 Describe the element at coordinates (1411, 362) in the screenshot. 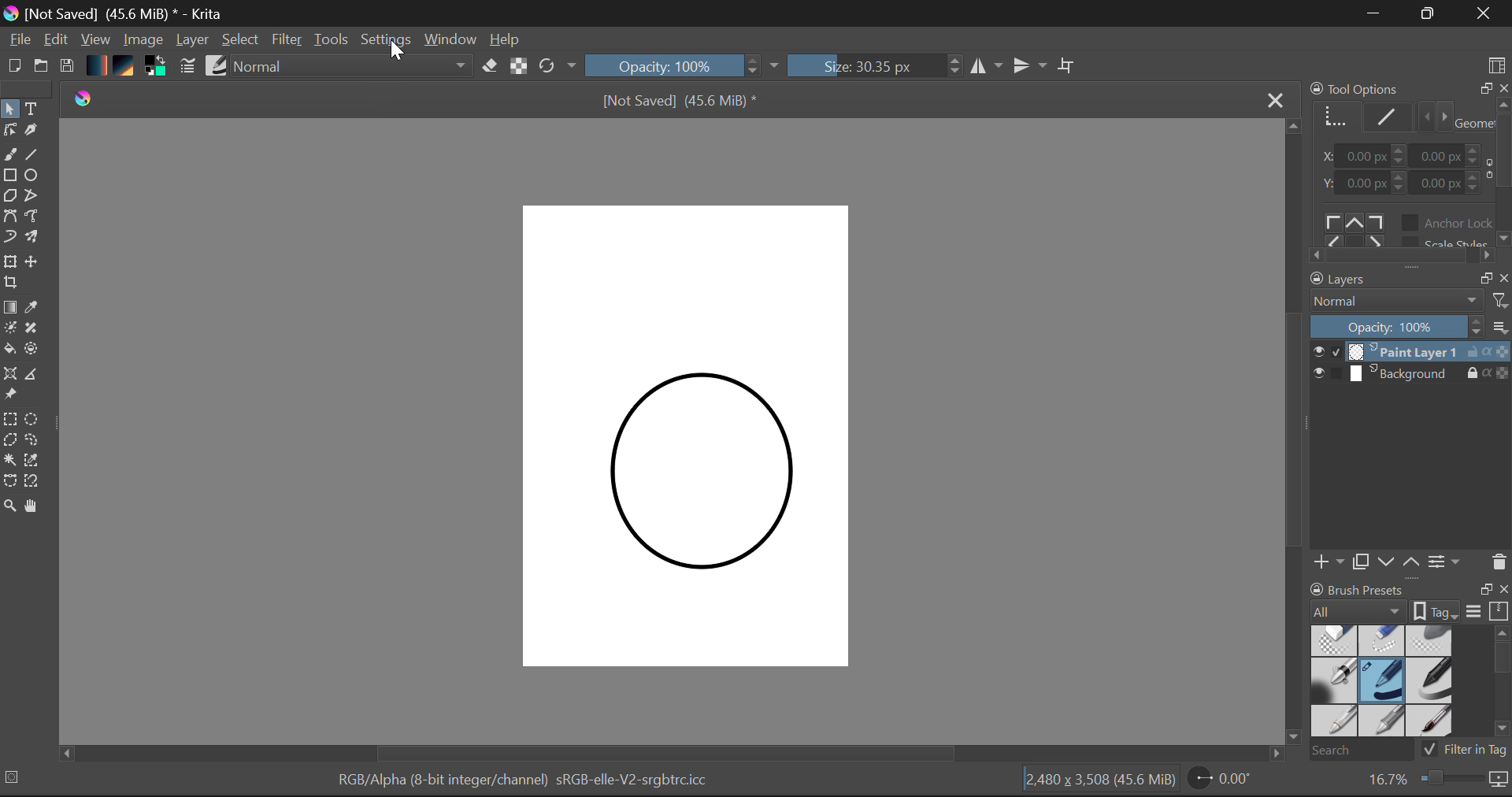

I see `Layers` at that location.